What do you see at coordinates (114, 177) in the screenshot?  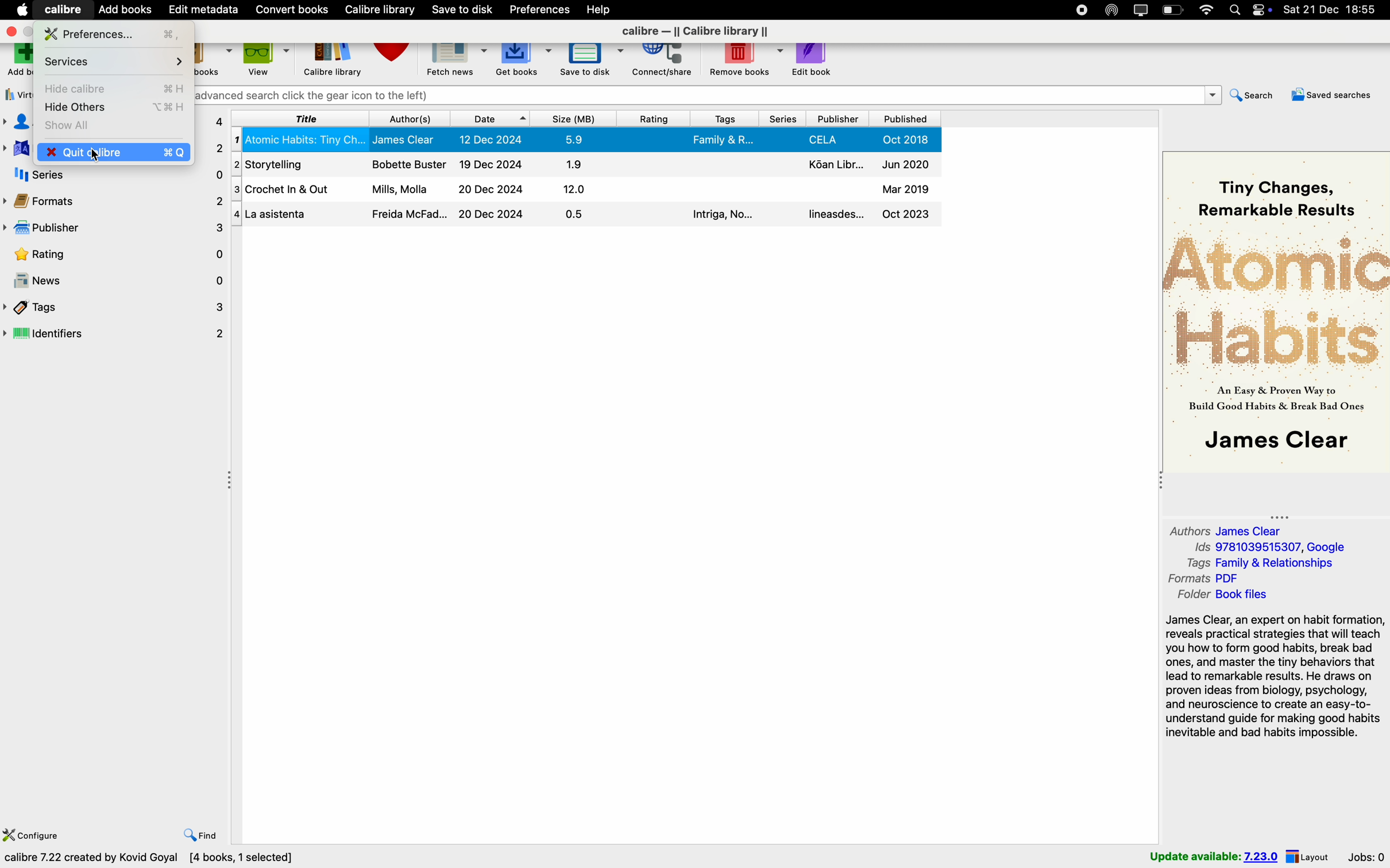 I see `series` at bounding box center [114, 177].